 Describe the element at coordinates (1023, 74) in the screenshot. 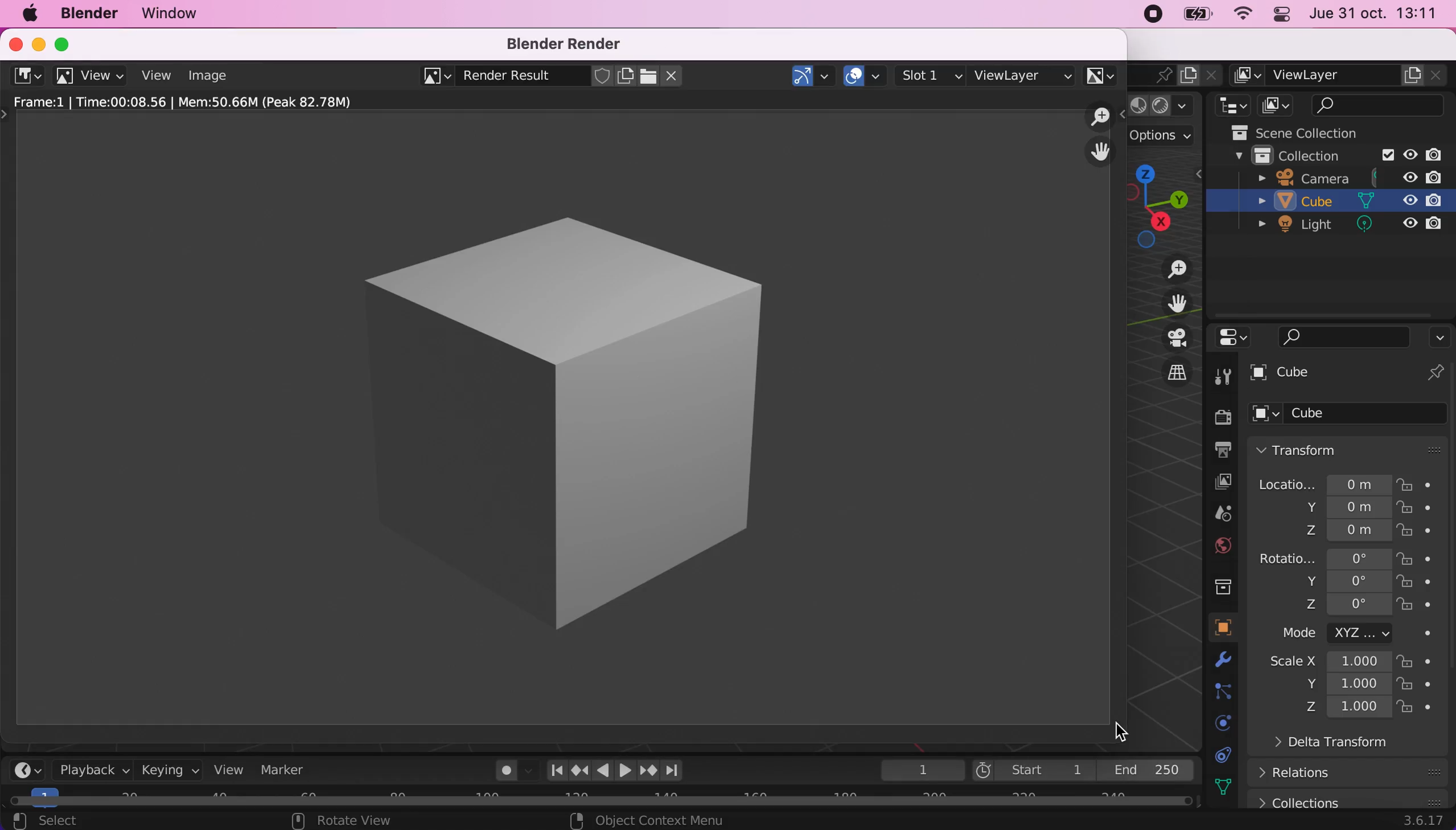

I see `view layer` at that location.